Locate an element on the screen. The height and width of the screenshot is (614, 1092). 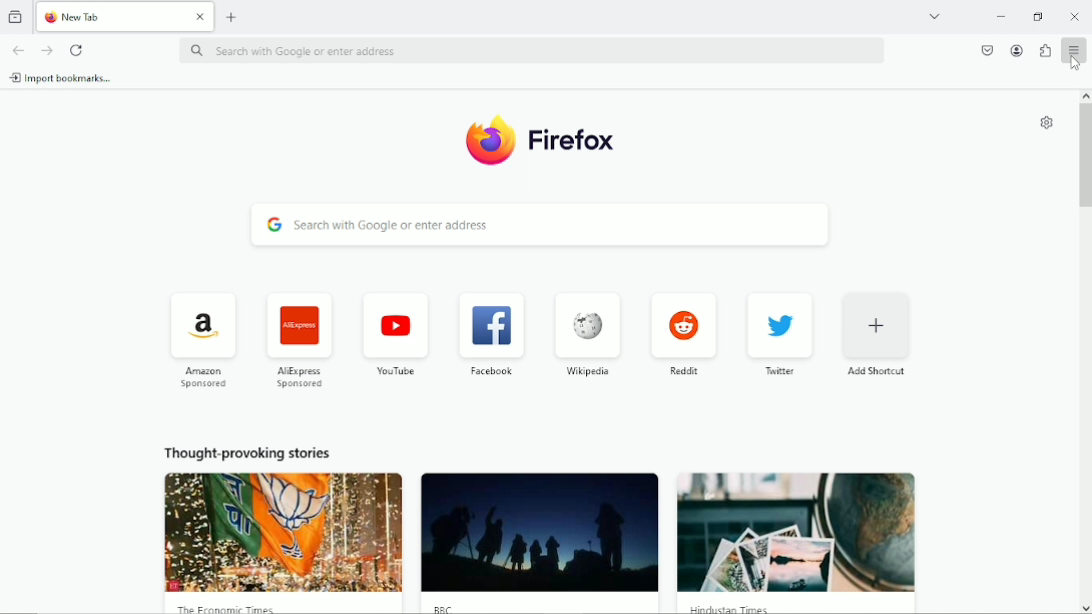
Wikipedia is located at coordinates (586, 331).